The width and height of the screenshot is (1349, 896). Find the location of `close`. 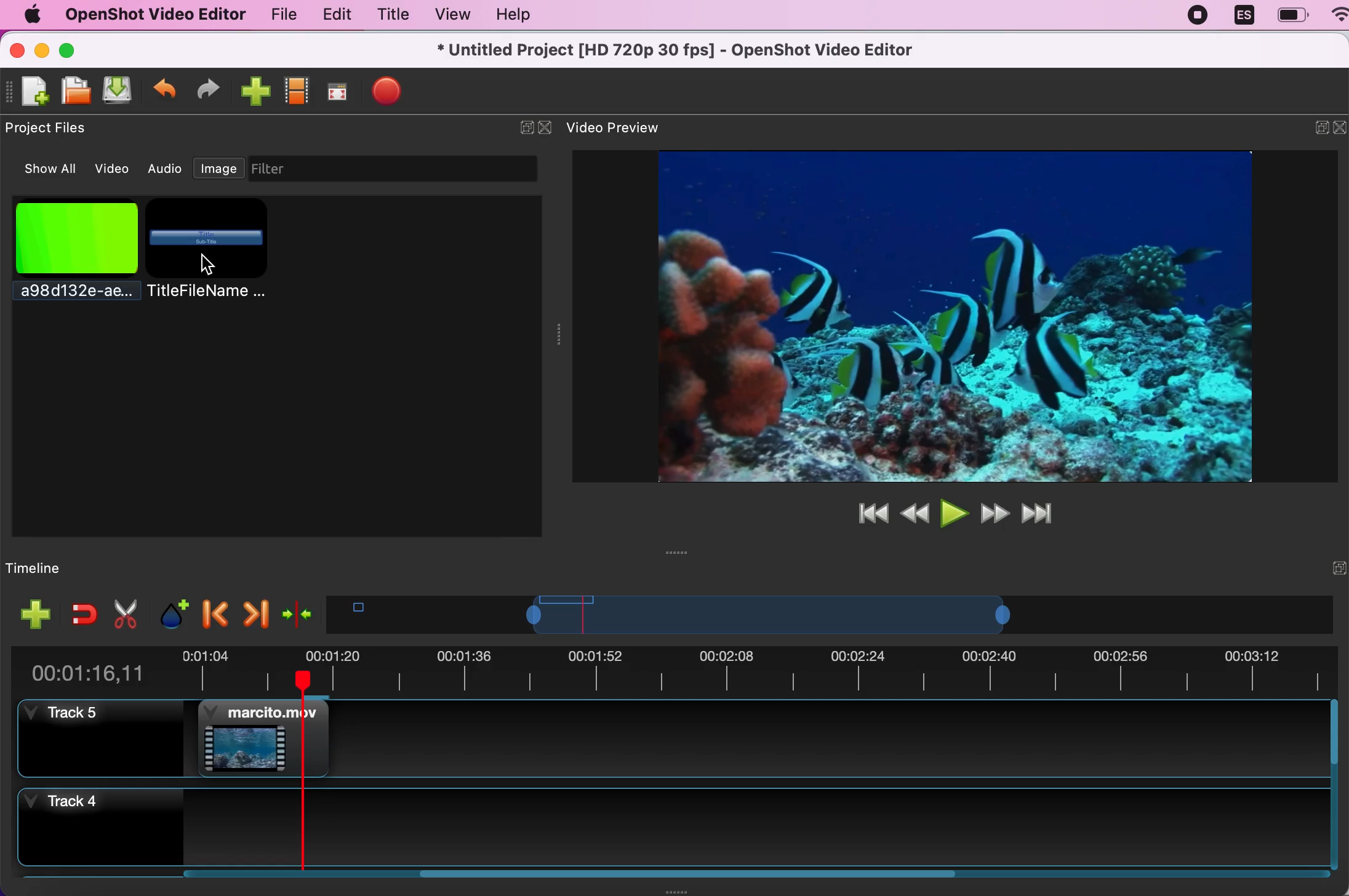

close is located at coordinates (1340, 130).